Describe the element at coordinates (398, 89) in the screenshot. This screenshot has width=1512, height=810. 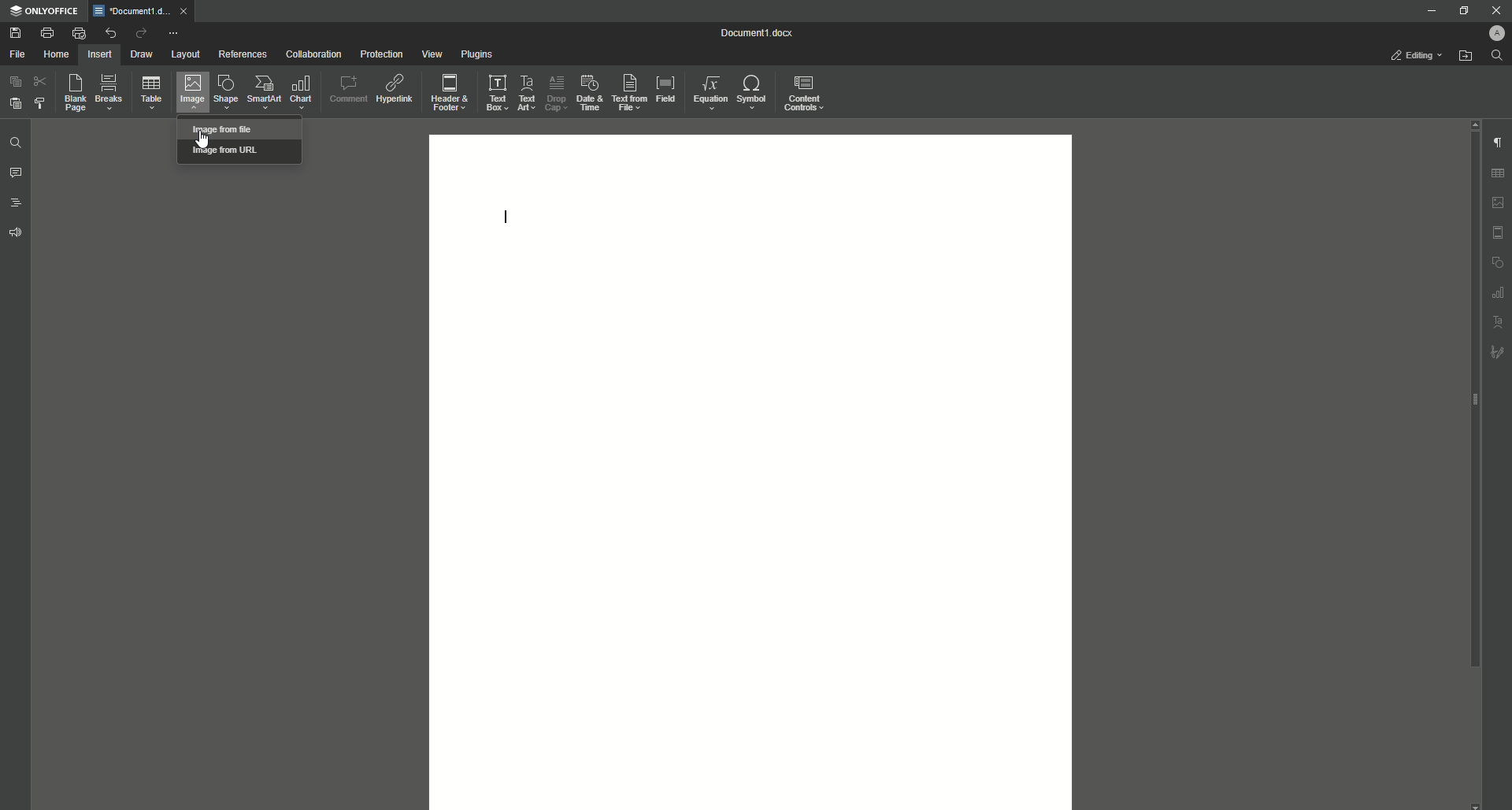
I see `Hyperlink` at that location.